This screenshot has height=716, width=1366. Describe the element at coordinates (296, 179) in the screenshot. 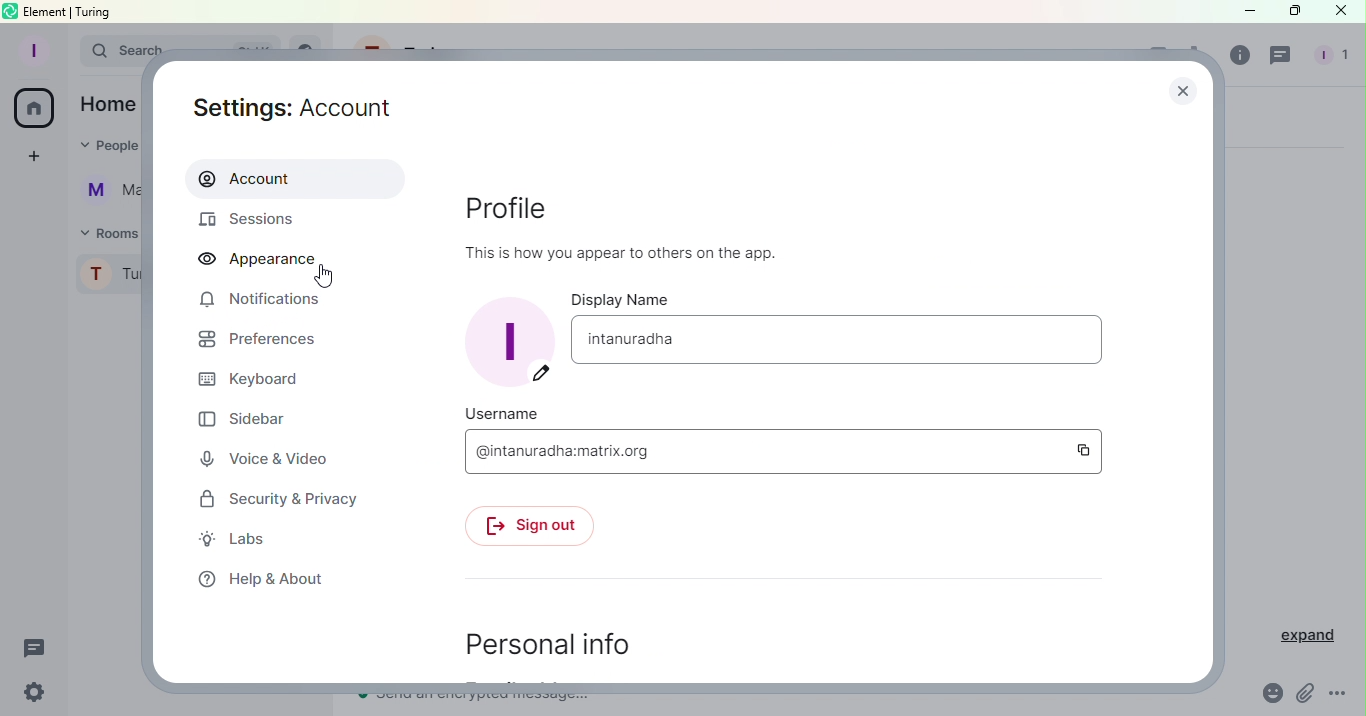

I see `Account` at that location.